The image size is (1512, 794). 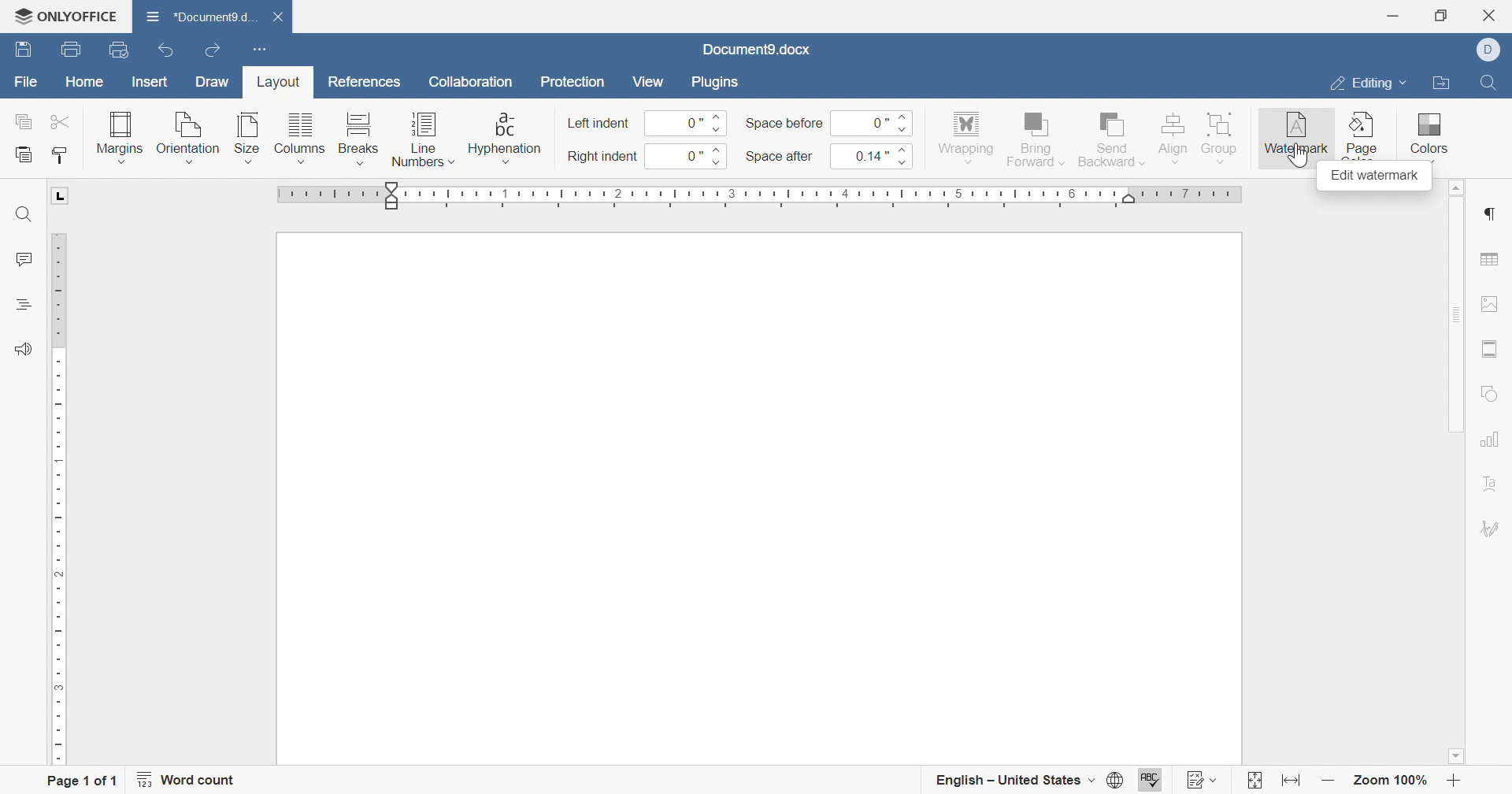 I want to click on line numbers, so click(x=423, y=143).